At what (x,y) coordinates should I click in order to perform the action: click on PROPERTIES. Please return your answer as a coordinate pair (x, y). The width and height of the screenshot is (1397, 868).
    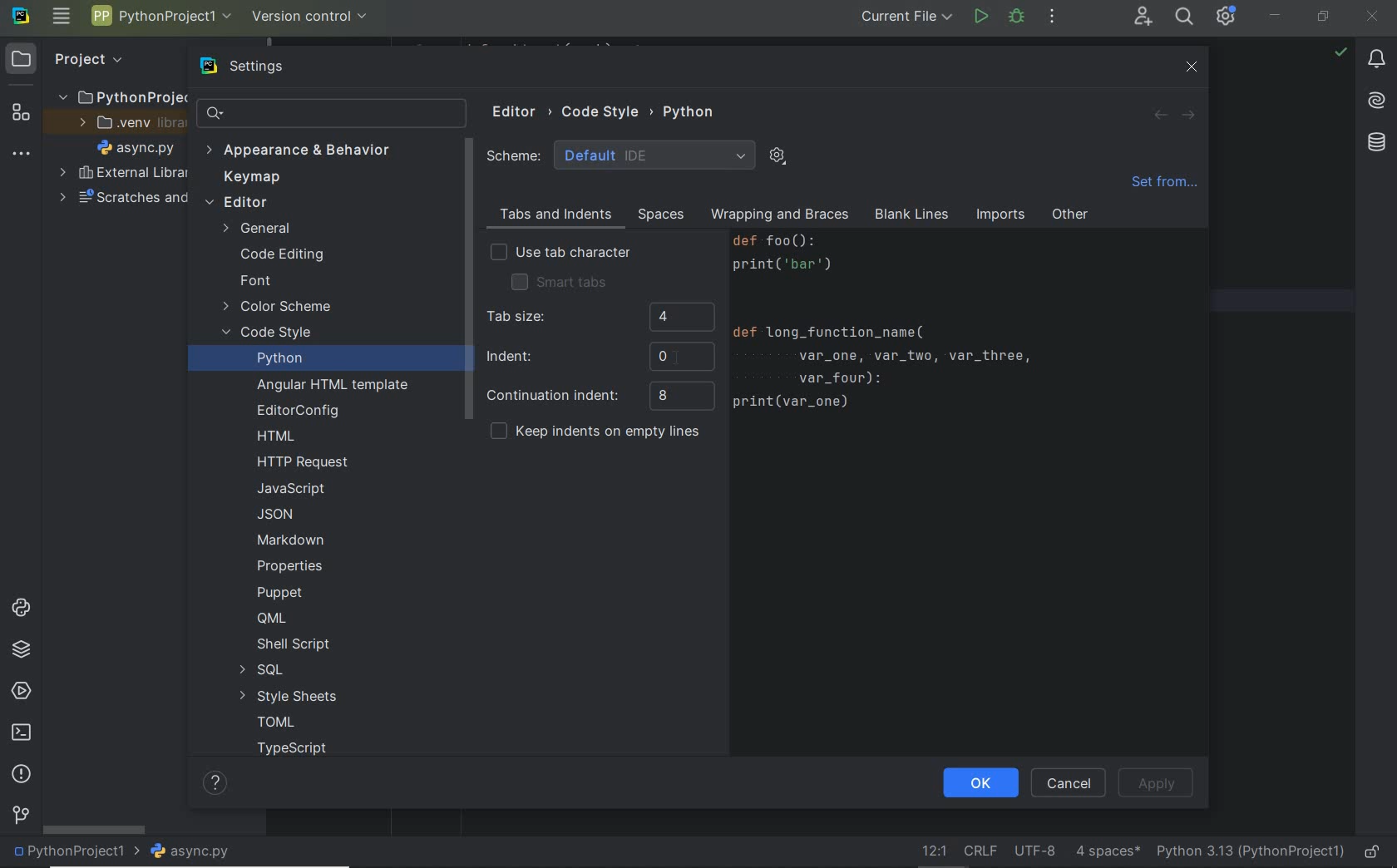
    Looking at the image, I should click on (291, 570).